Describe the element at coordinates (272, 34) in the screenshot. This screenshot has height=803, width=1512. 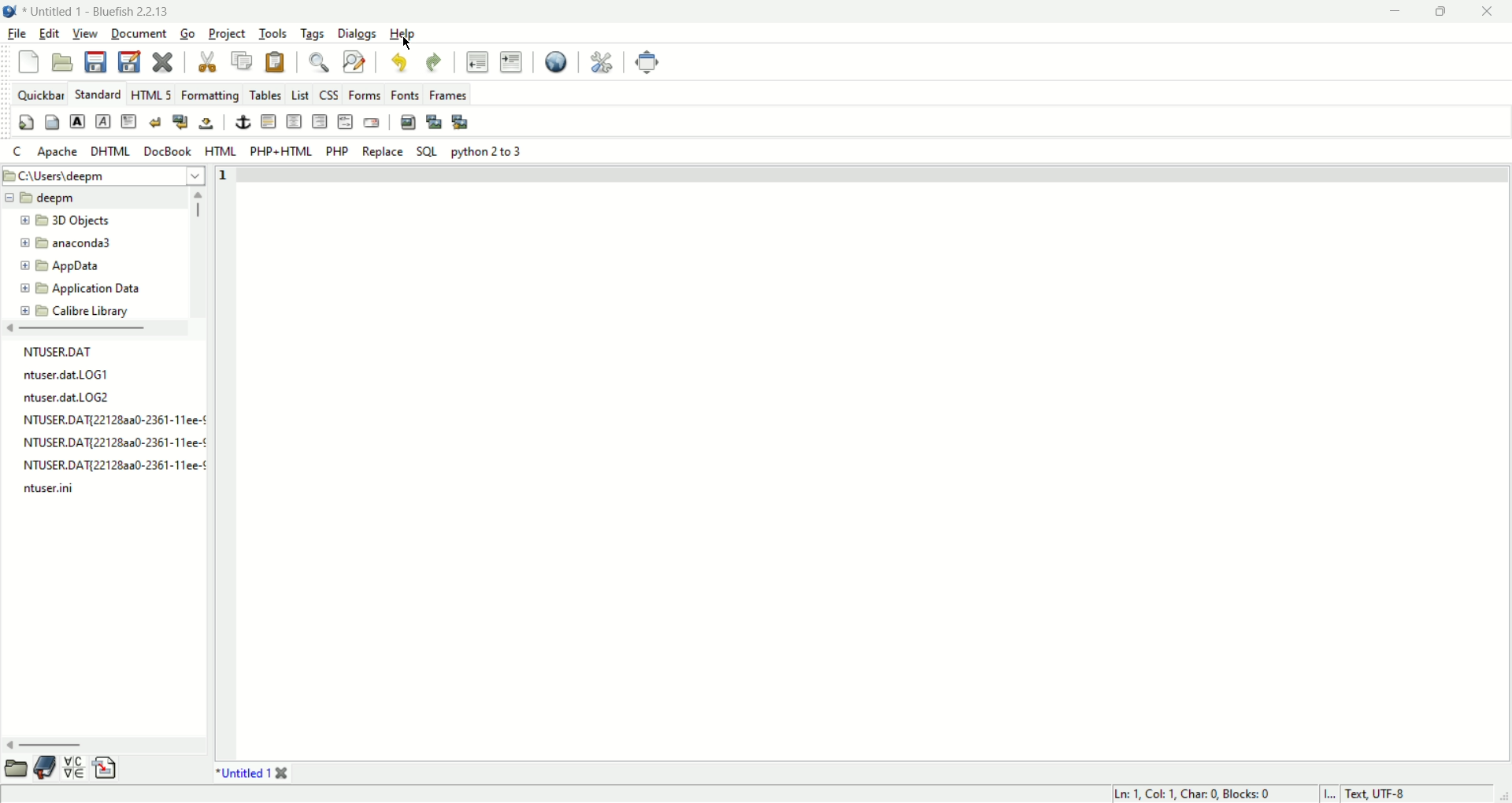
I see `tools` at that location.